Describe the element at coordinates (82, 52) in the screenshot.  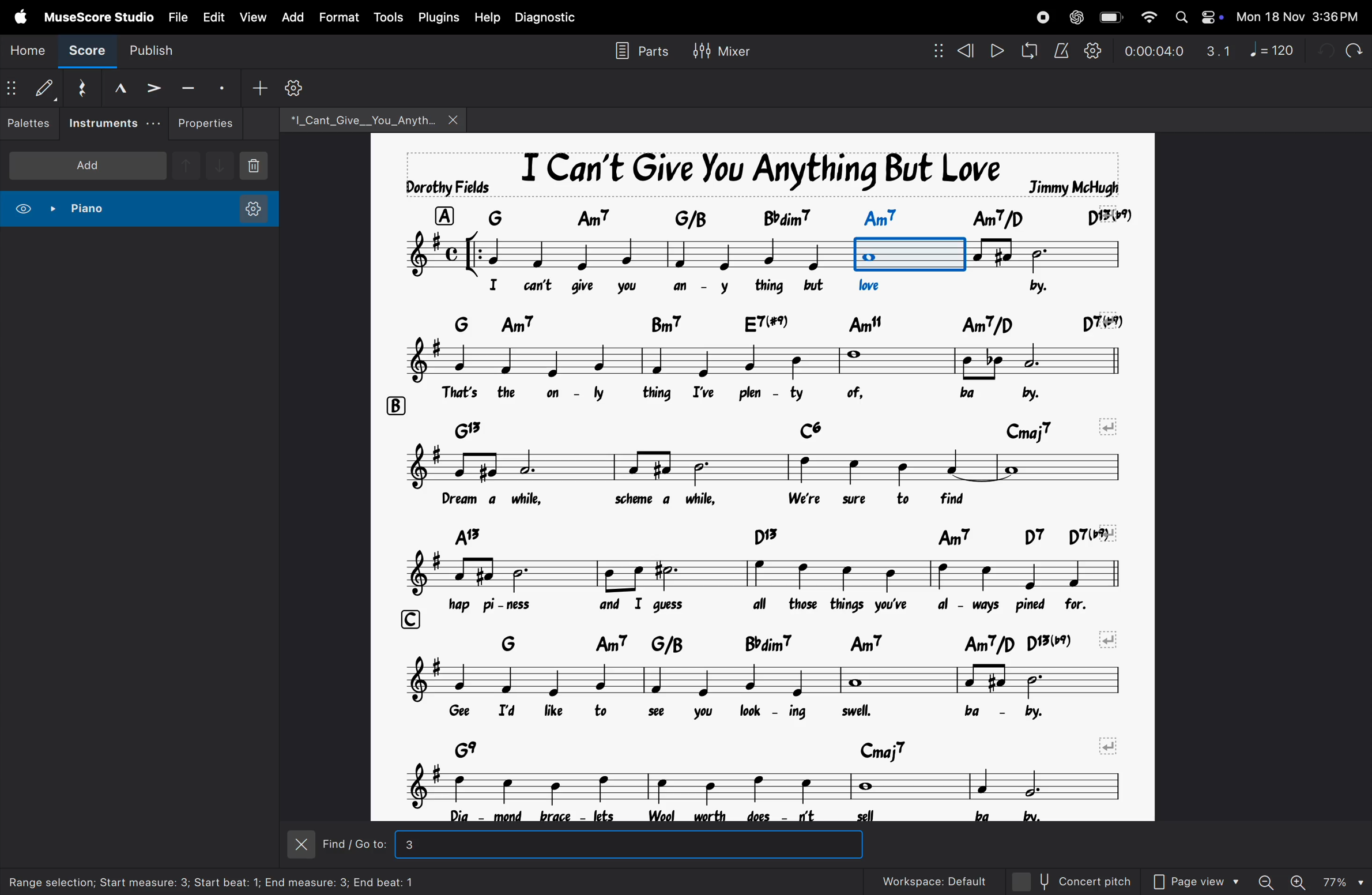
I see `score` at that location.